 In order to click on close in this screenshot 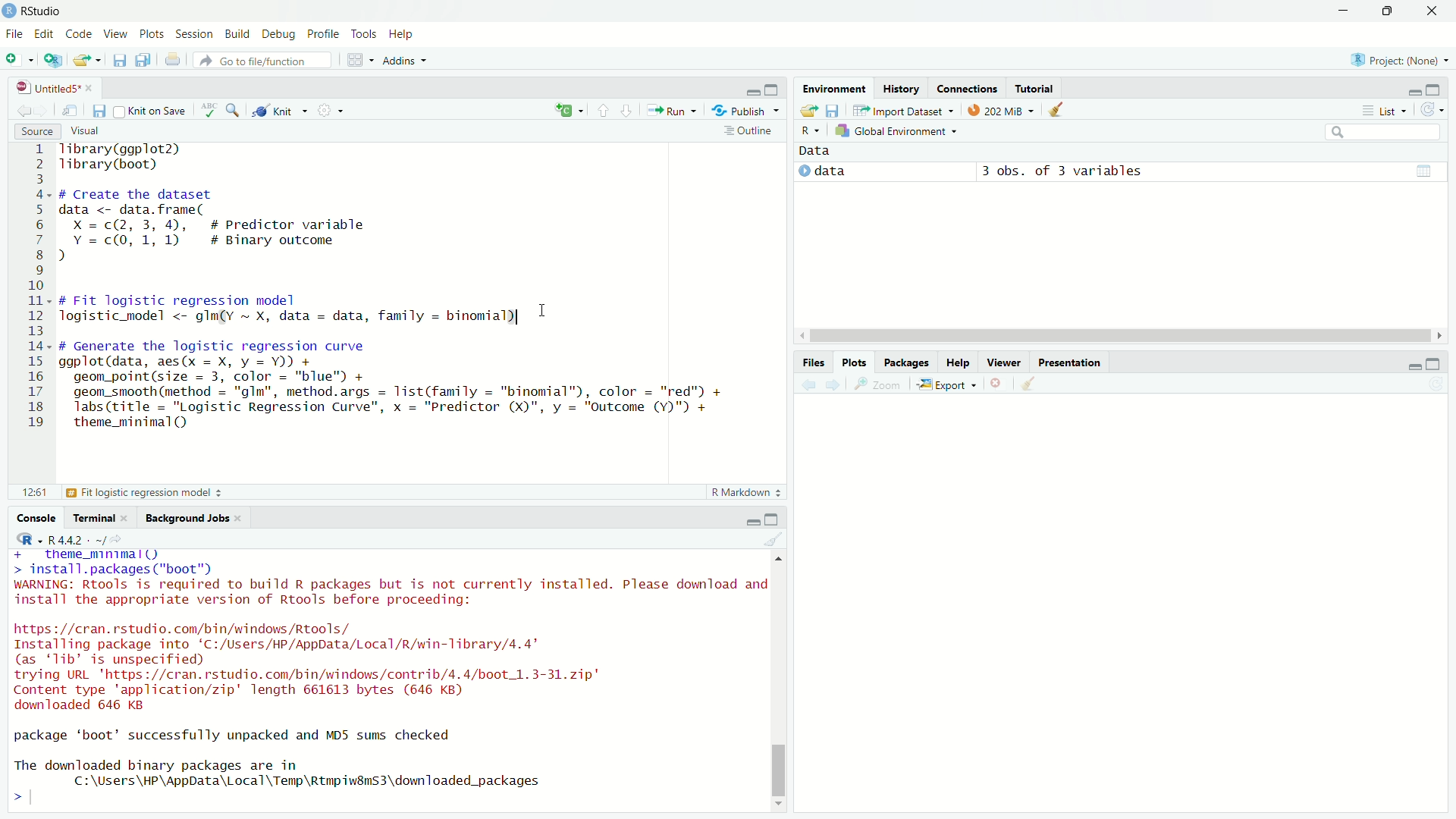, I will do `click(124, 518)`.